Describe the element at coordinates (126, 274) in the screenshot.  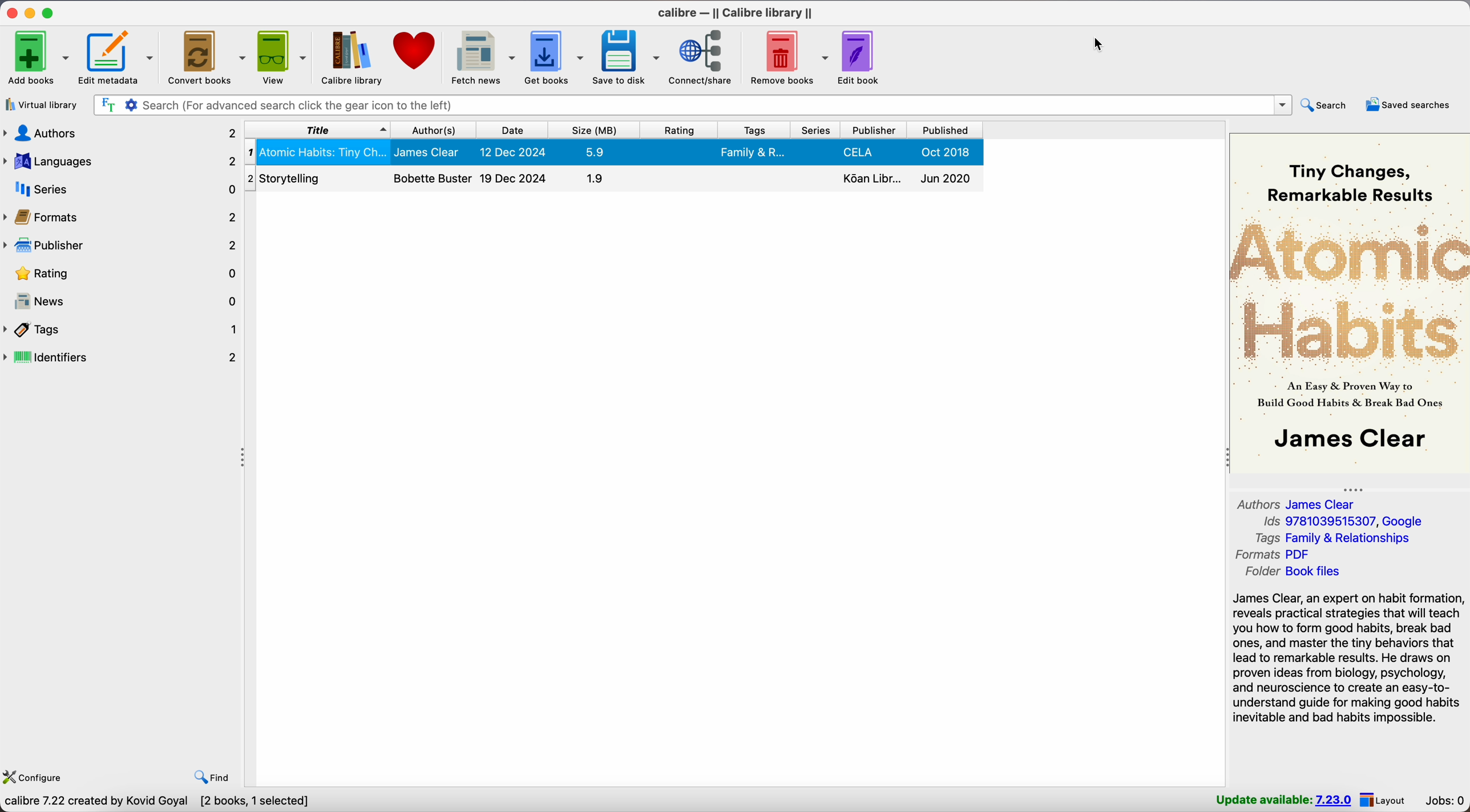
I see `rating` at that location.